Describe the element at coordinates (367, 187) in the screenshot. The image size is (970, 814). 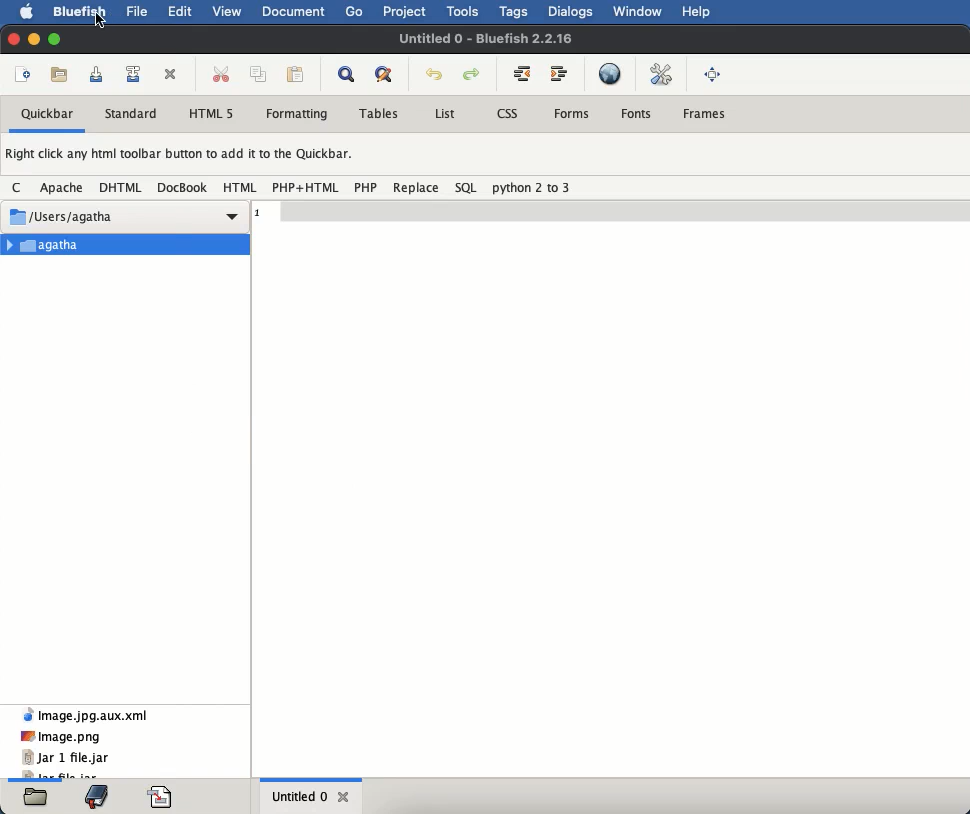
I see `php` at that location.